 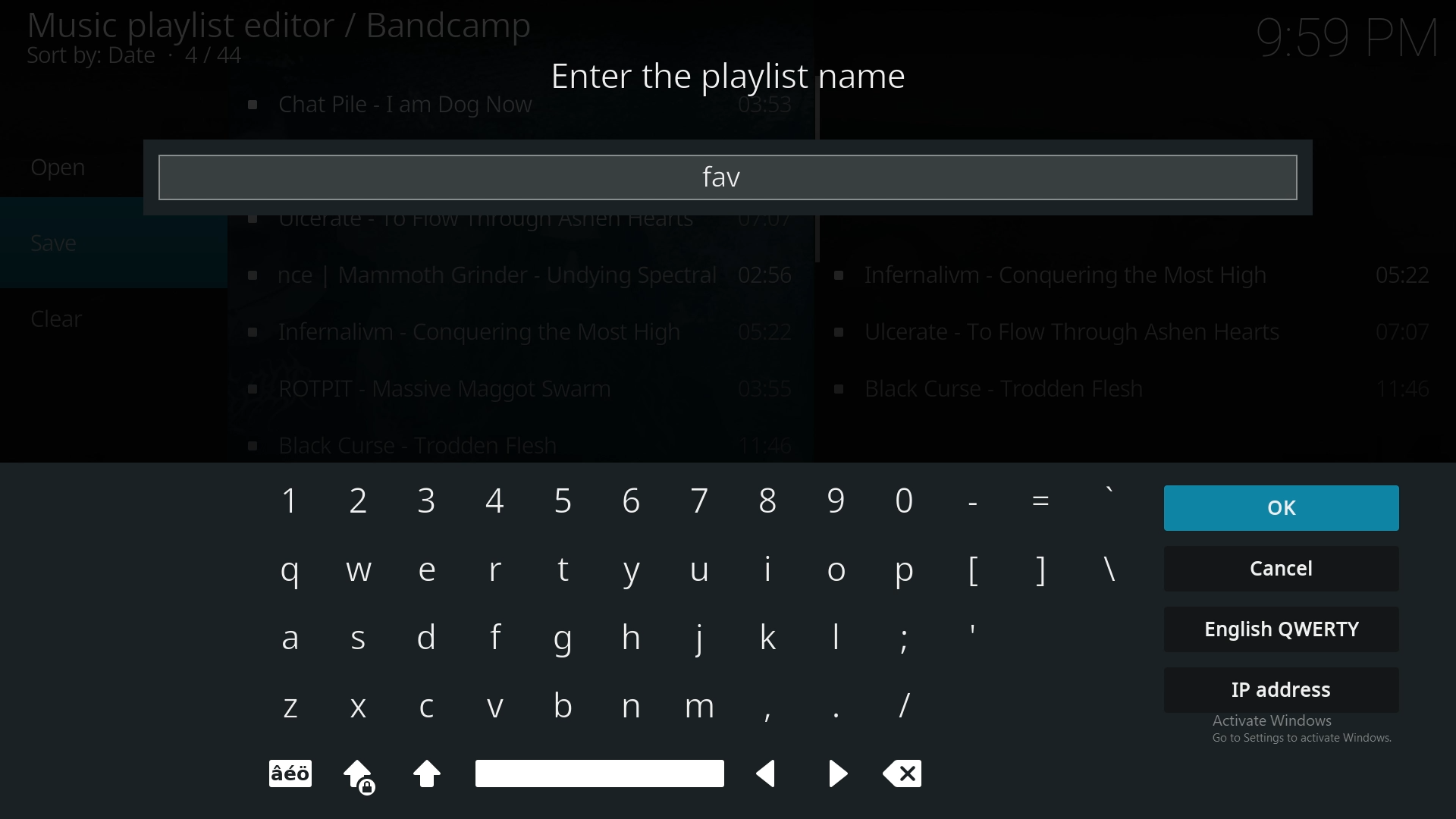 I want to click on Clear, so click(x=50, y=321).